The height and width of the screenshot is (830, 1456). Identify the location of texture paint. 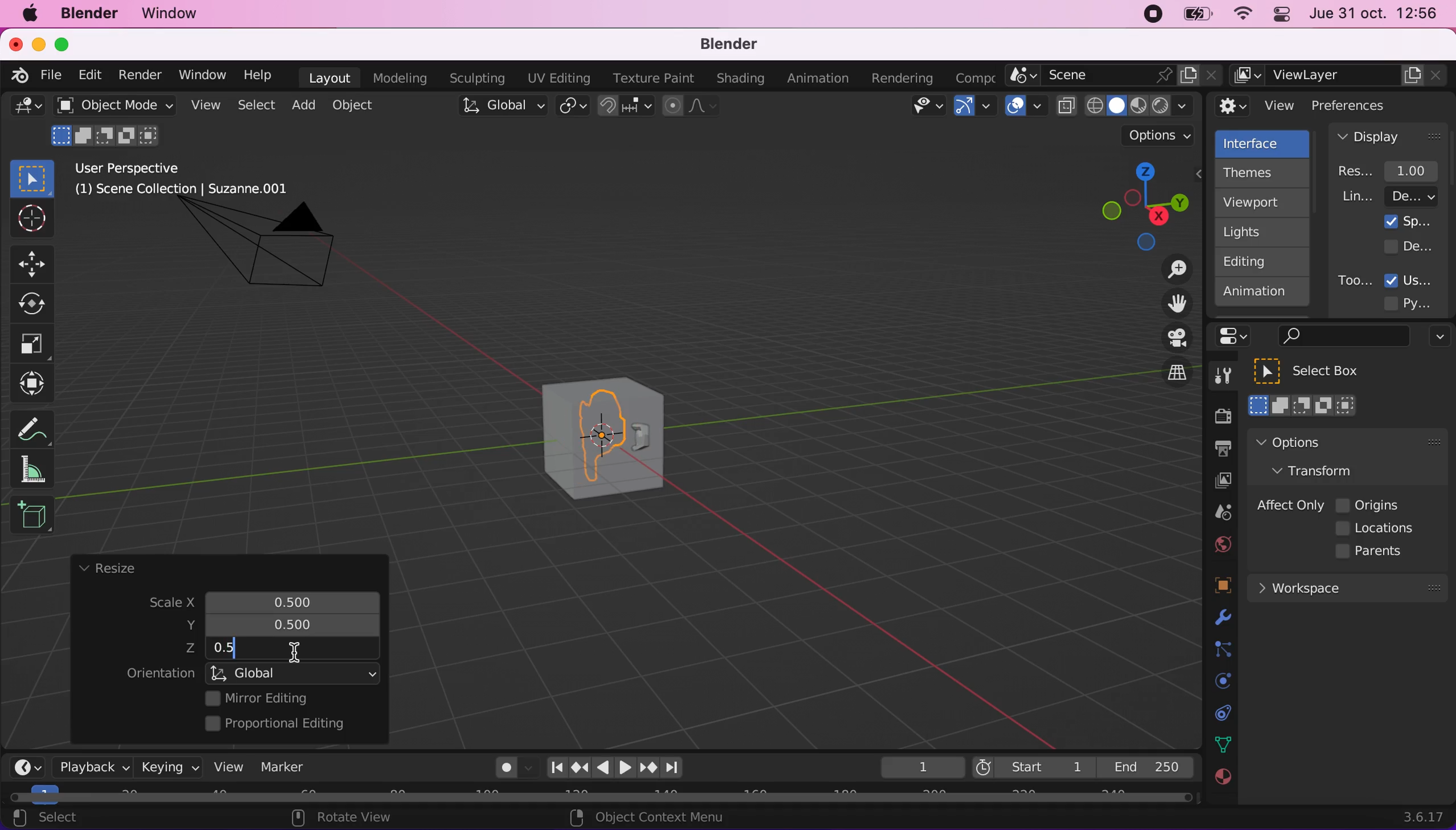
(651, 78).